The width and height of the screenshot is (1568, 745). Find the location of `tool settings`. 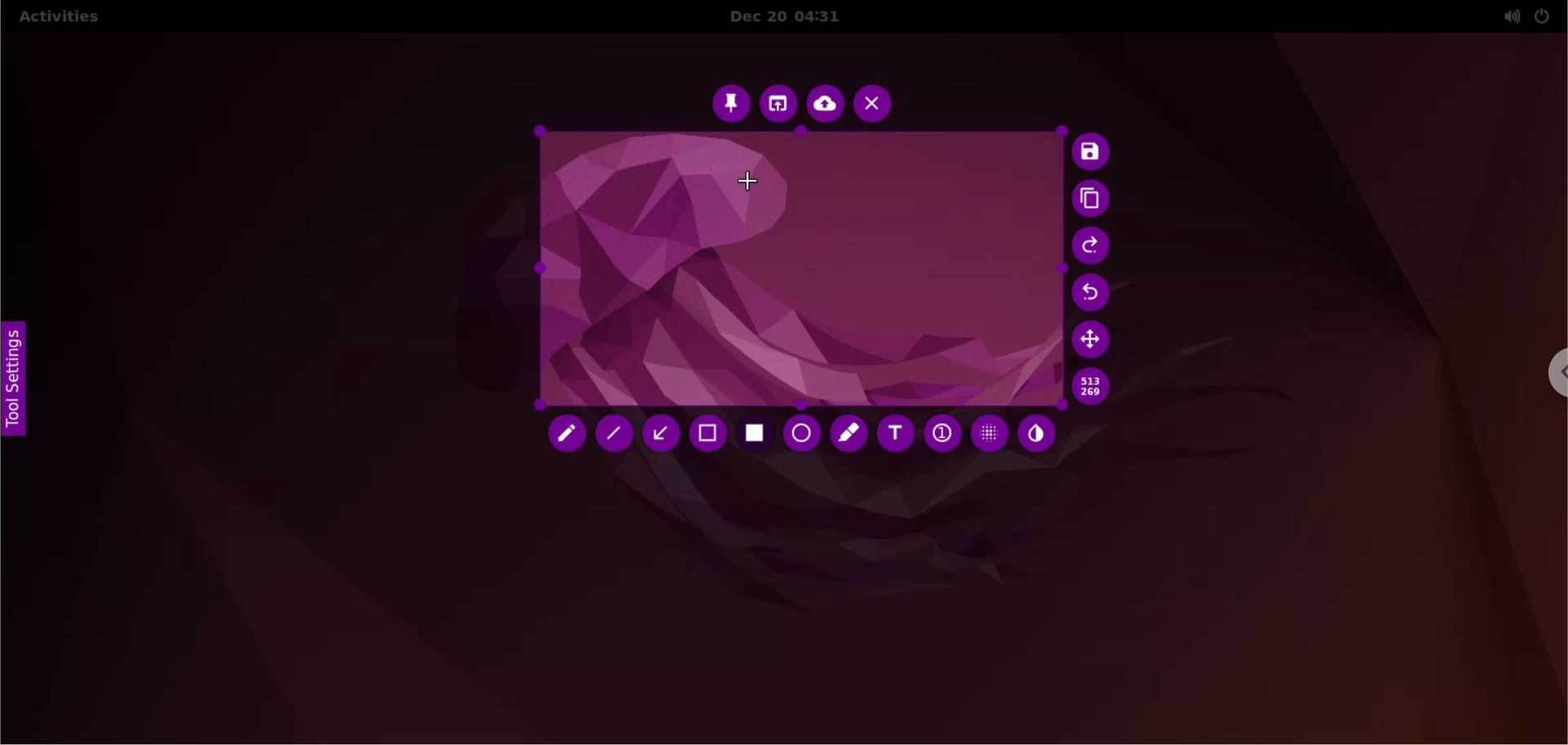

tool settings is located at coordinates (16, 386).